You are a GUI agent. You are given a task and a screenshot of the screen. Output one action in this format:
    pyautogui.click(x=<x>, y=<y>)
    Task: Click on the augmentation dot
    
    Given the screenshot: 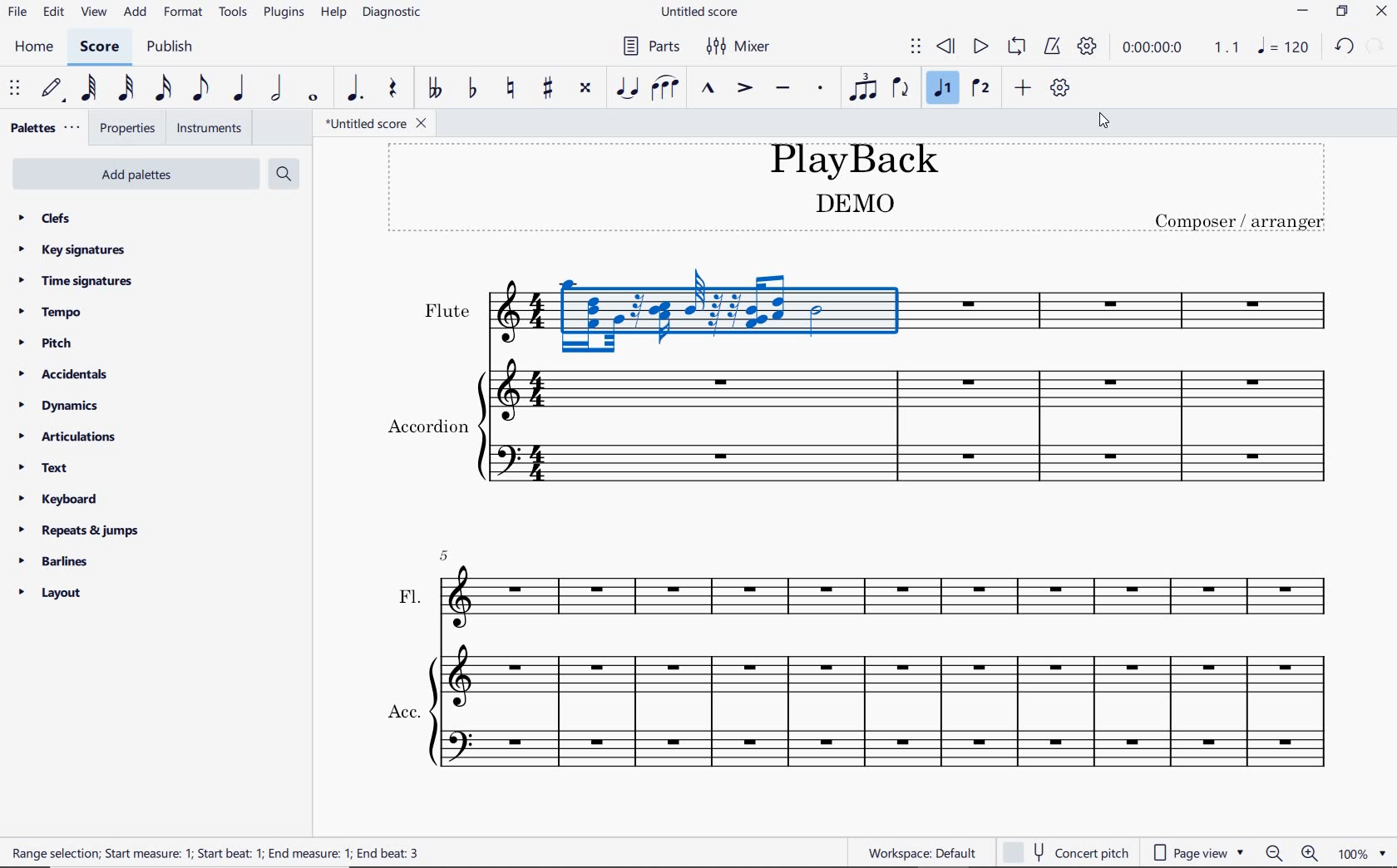 What is the action you would take?
    pyautogui.click(x=357, y=88)
    